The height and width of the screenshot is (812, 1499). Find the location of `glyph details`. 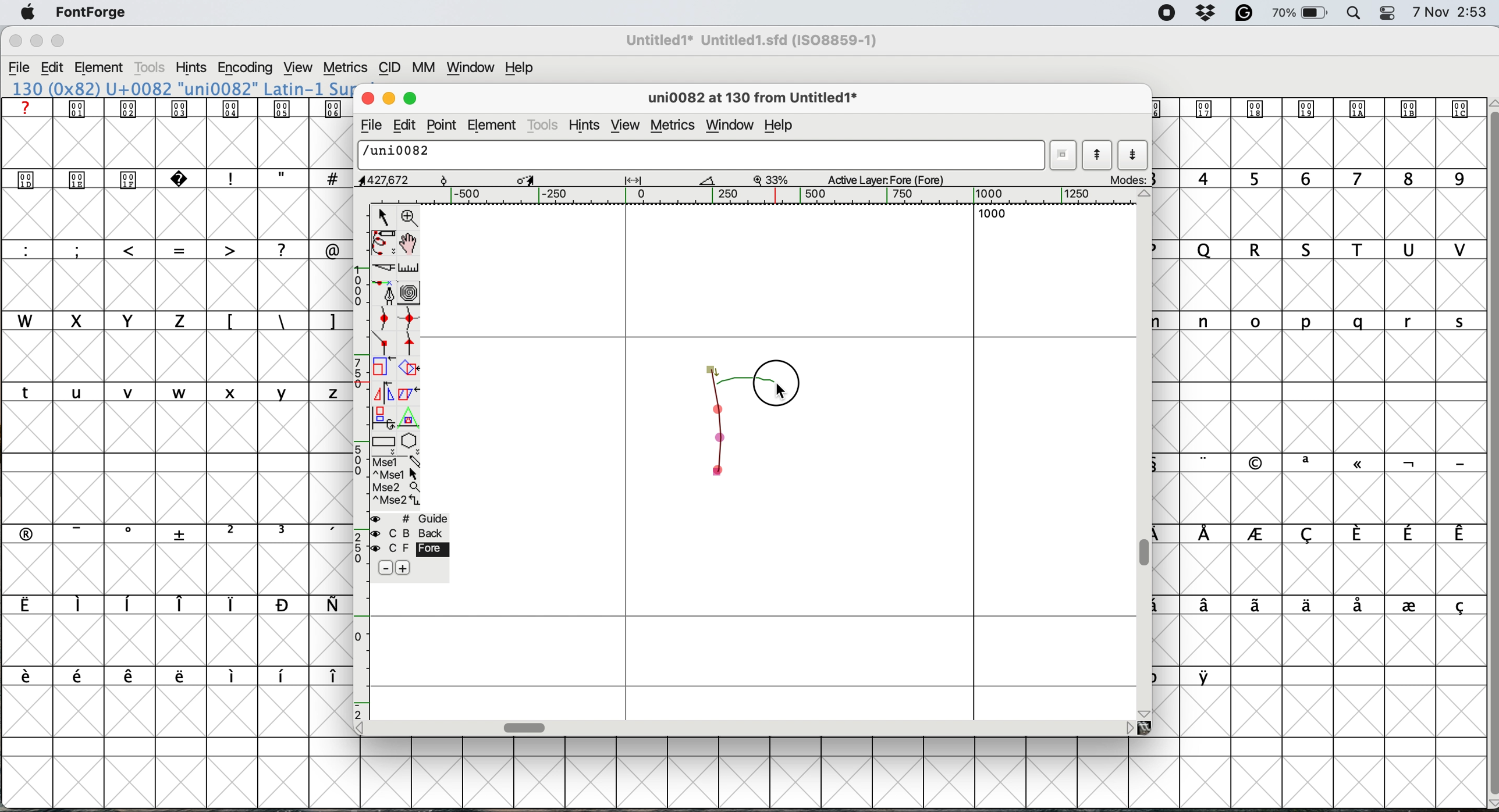

glyph details is located at coordinates (759, 99).